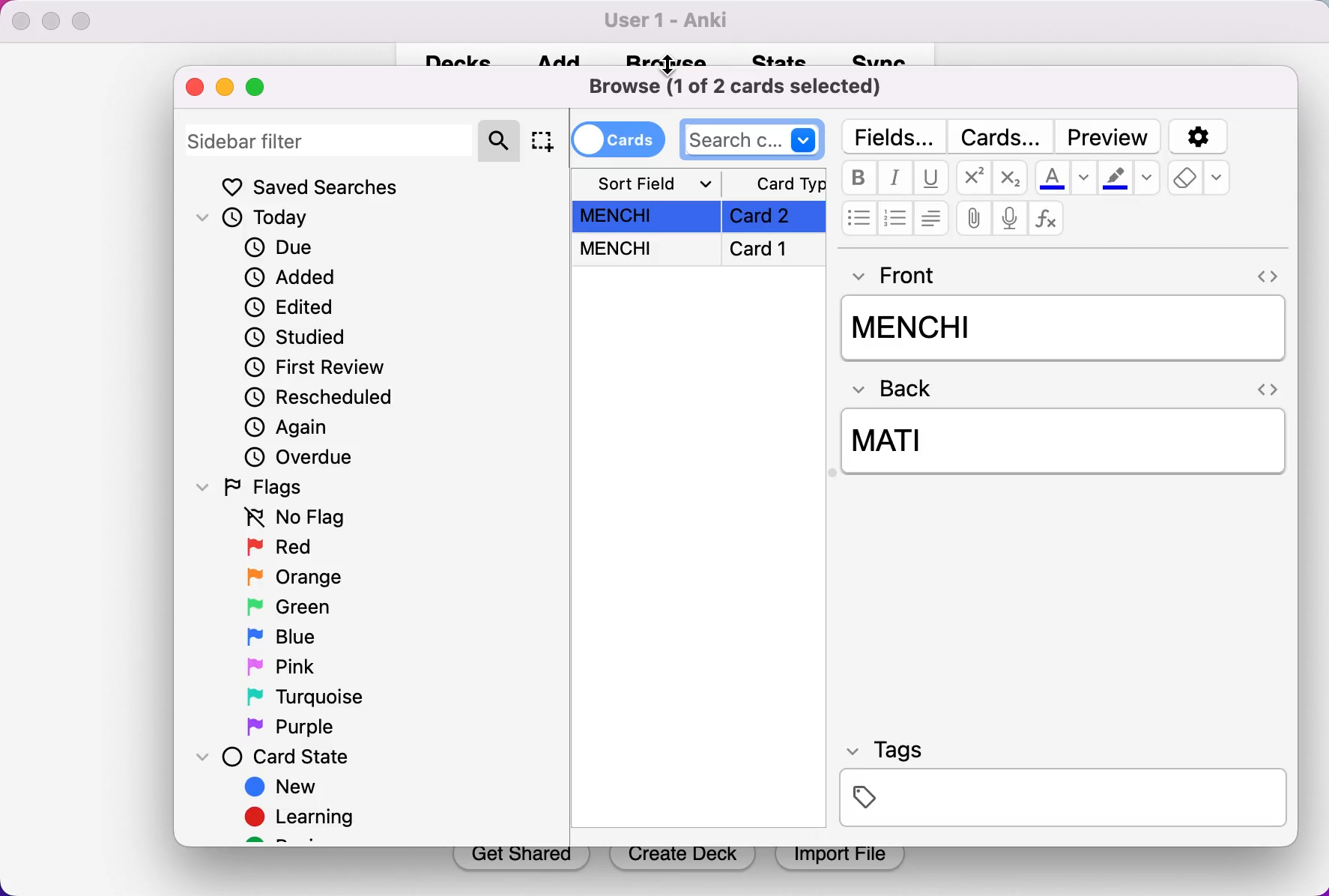  I want to click on preview, so click(1108, 135).